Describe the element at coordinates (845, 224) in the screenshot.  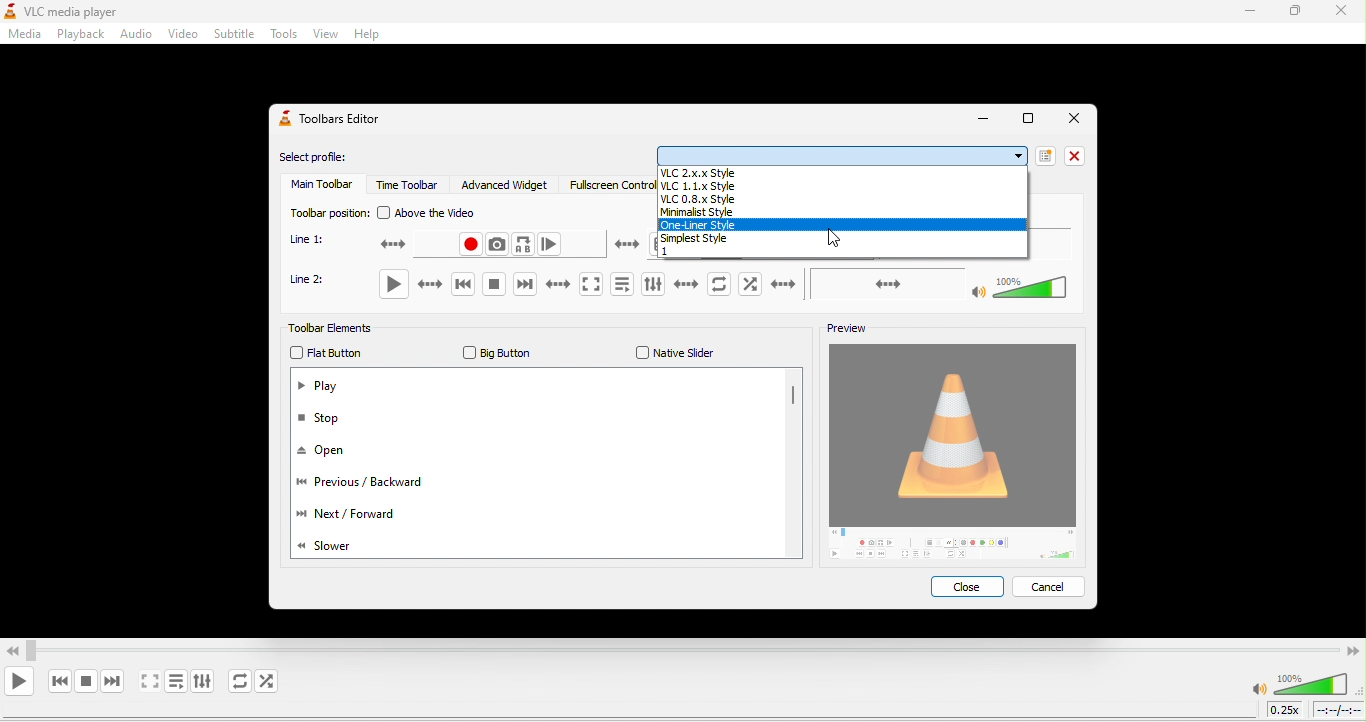
I see `one-liner style` at that location.